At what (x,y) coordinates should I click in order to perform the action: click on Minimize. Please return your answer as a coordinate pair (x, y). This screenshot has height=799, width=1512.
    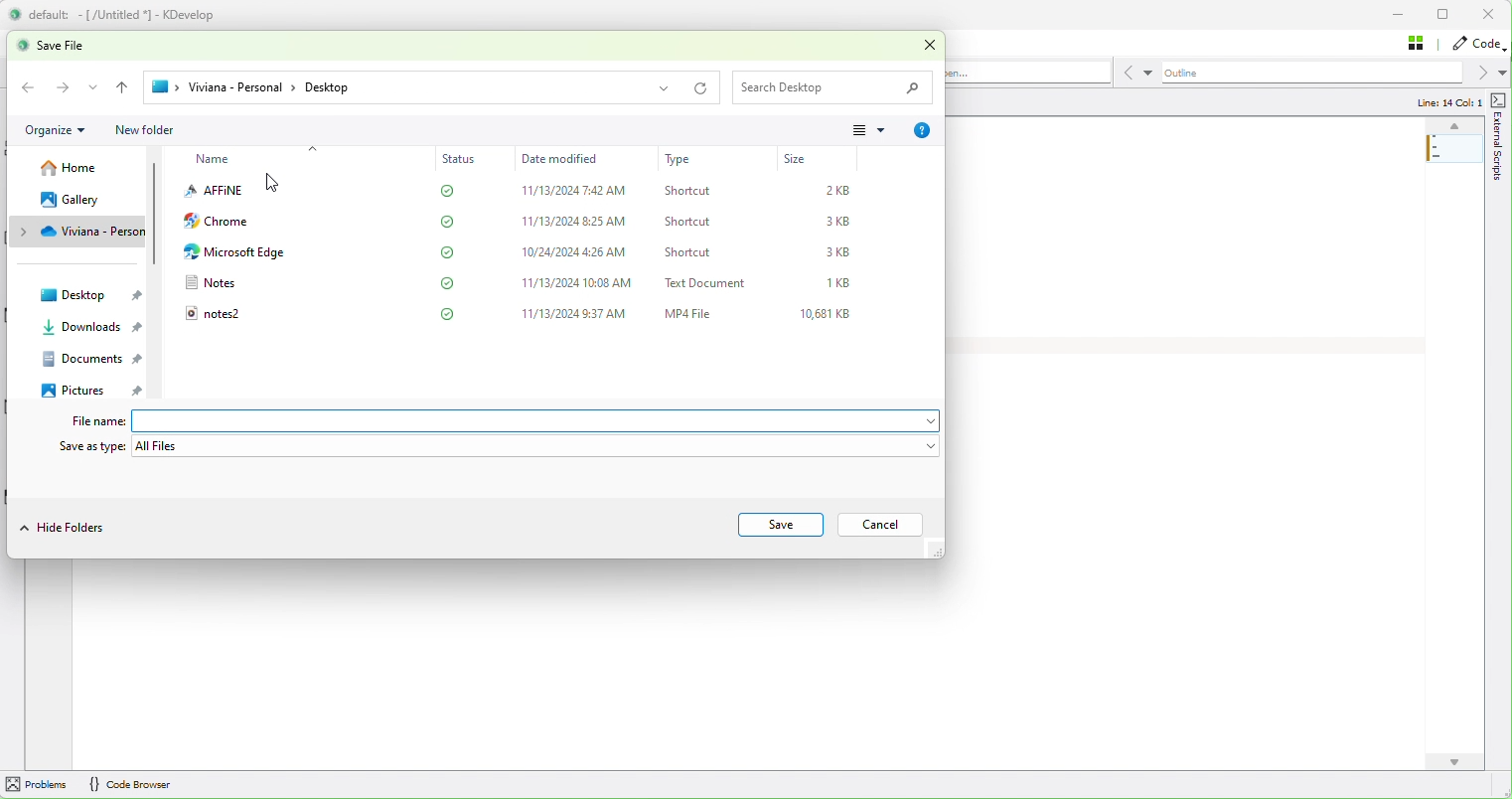
    Looking at the image, I should click on (1400, 14).